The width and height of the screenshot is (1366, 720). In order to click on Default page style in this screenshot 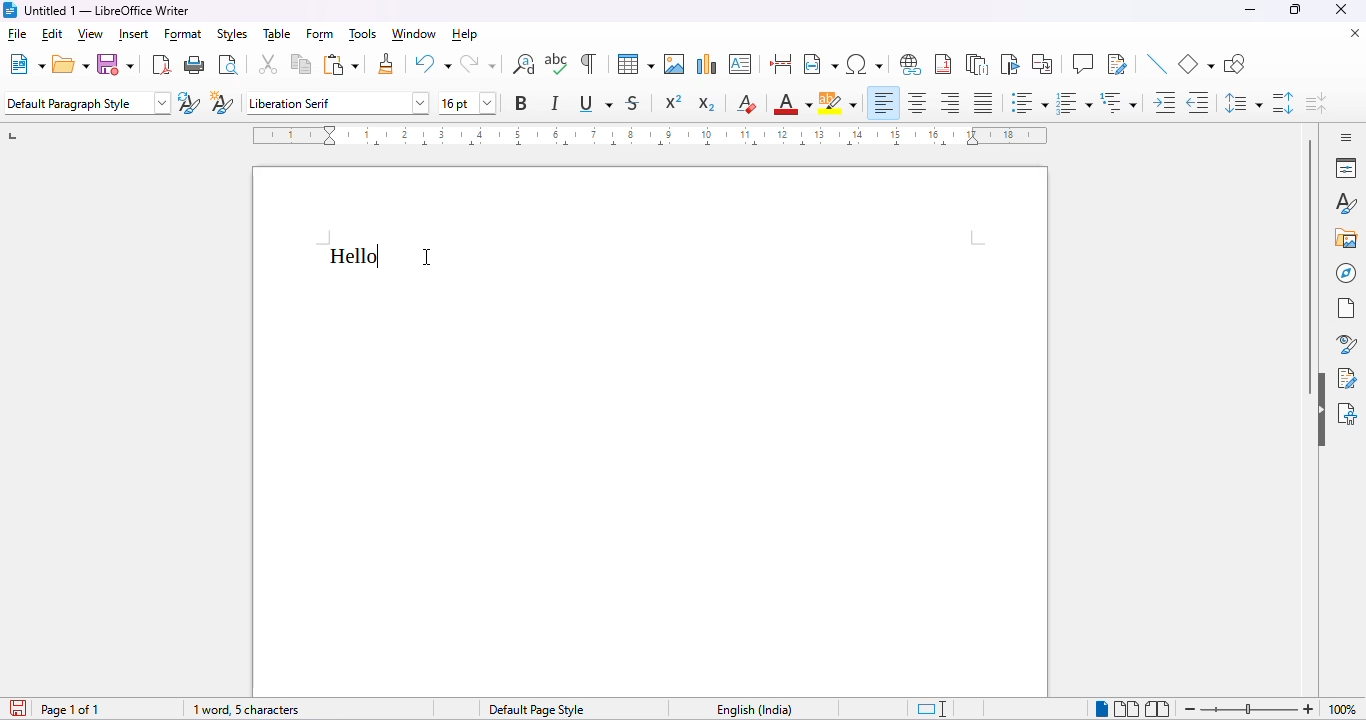, I will do `click(536, 710)`.